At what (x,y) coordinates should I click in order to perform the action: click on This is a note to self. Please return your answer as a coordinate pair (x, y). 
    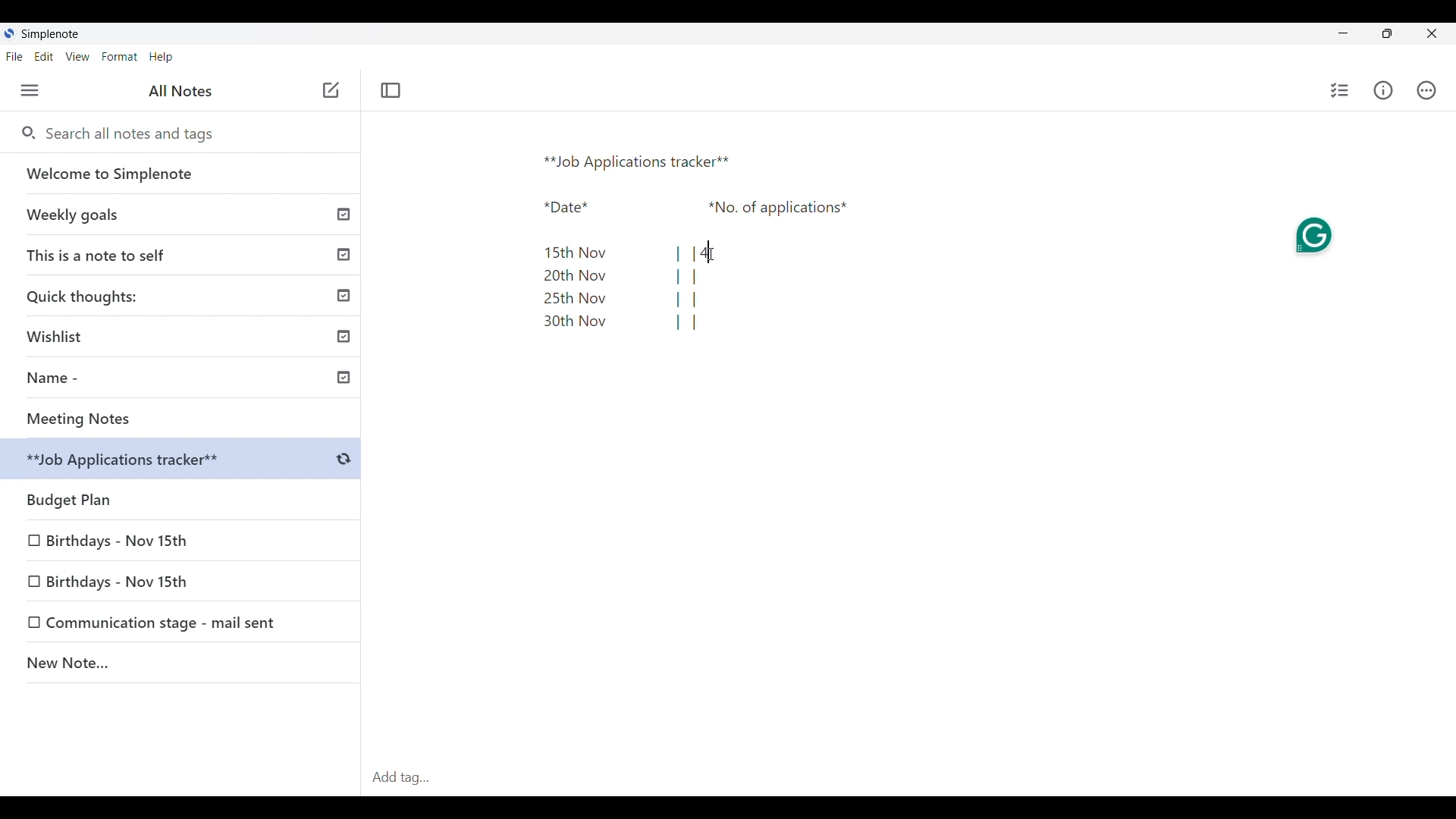
    Looking at the image, I should click on (183, 254).